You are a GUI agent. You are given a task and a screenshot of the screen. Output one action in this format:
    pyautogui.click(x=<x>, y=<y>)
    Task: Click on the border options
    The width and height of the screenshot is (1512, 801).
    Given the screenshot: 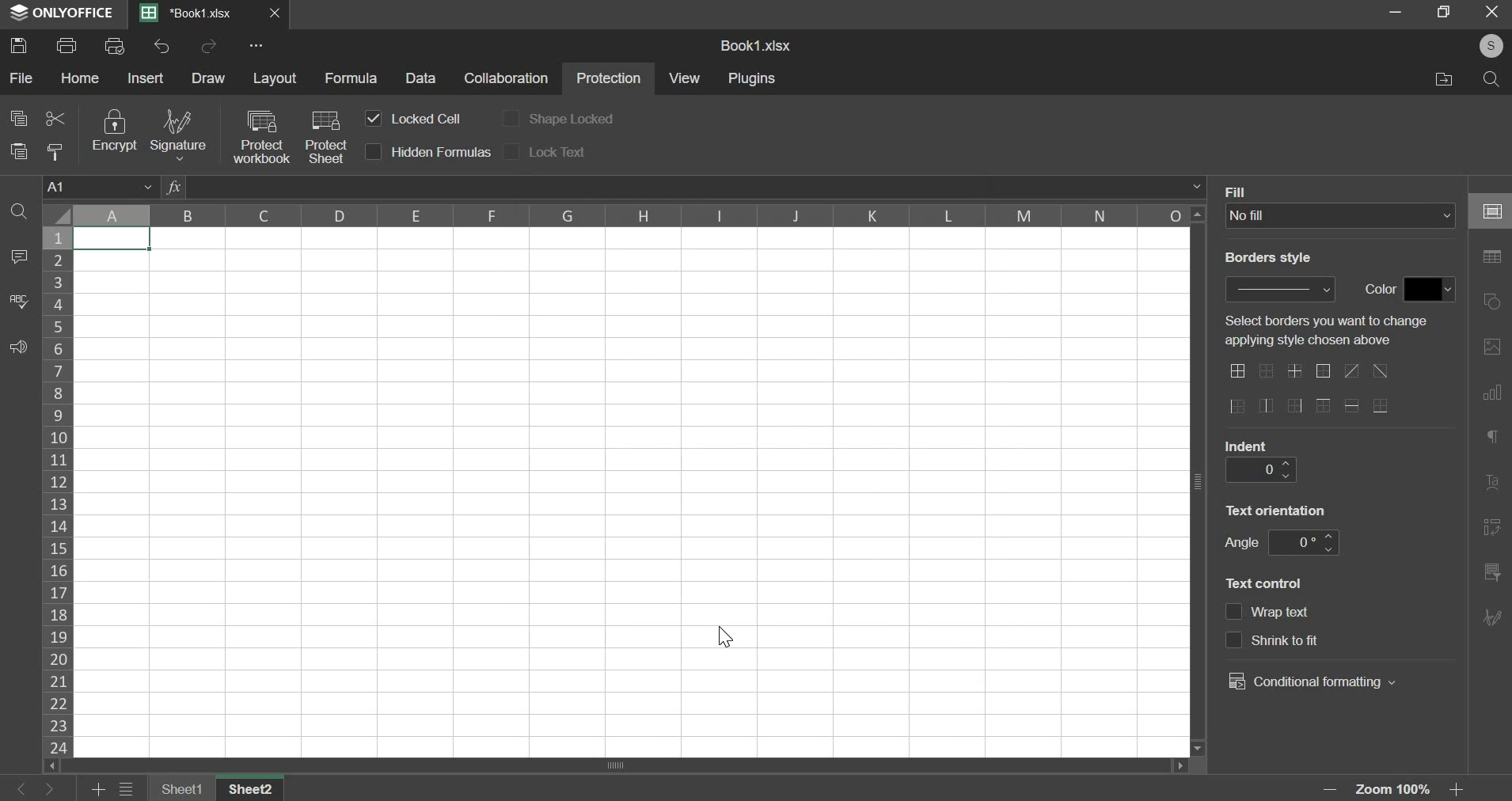 What is the action you would take?
    pyautogui.click(x=1354, y=405)
    